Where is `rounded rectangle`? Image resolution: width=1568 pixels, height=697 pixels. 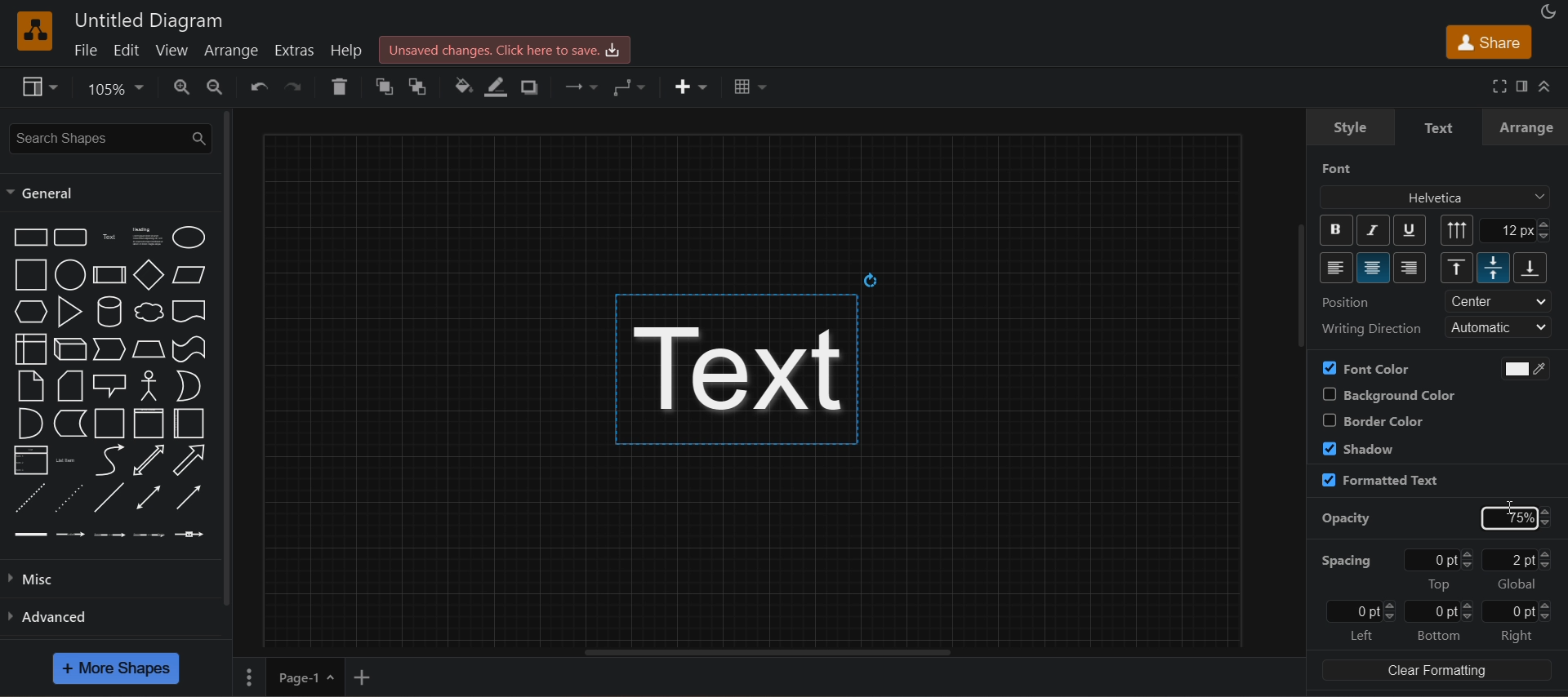 rounded rectangle is located at coordinates (73, 237).